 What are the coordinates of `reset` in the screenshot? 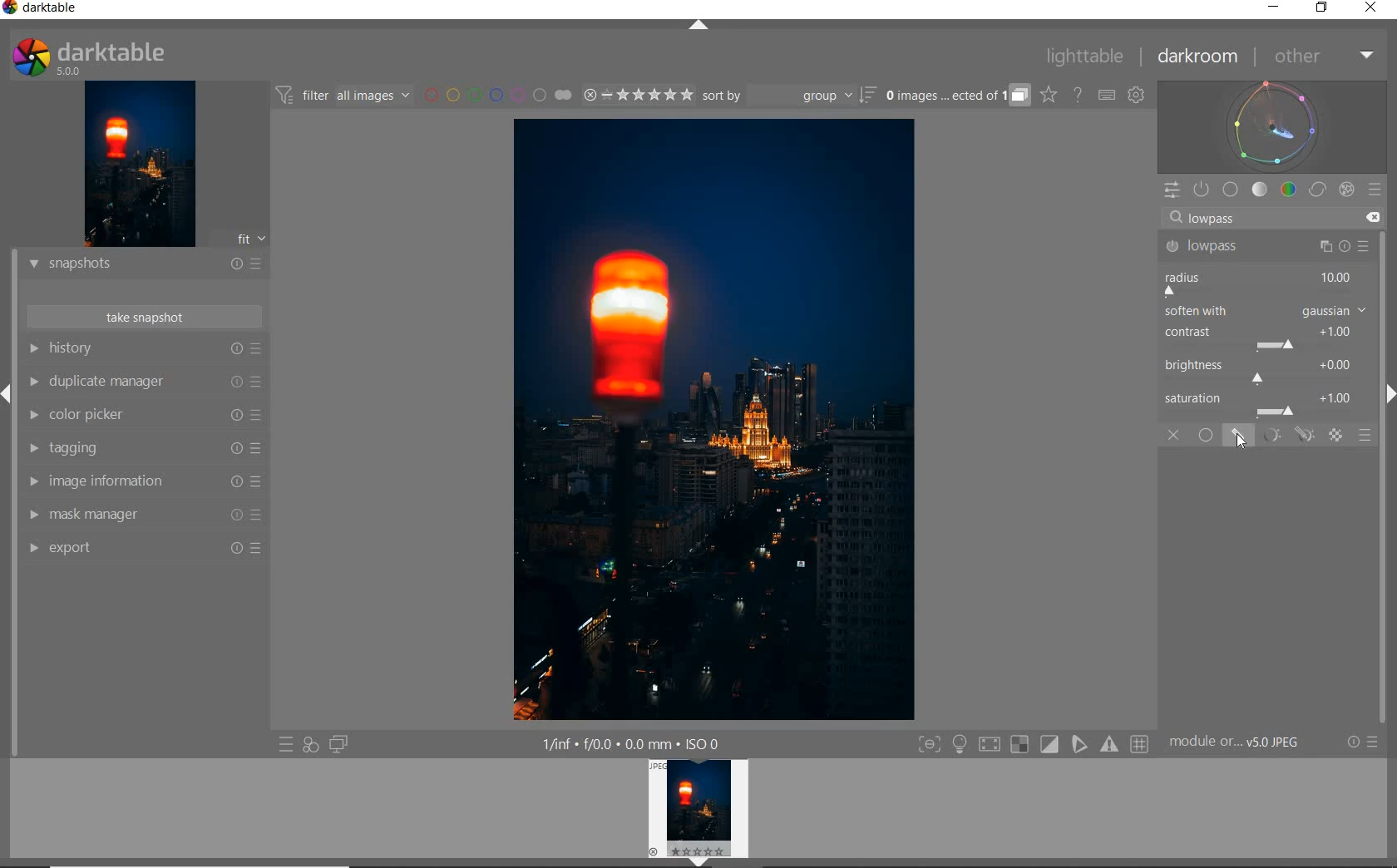 It's located at (1347, 249).